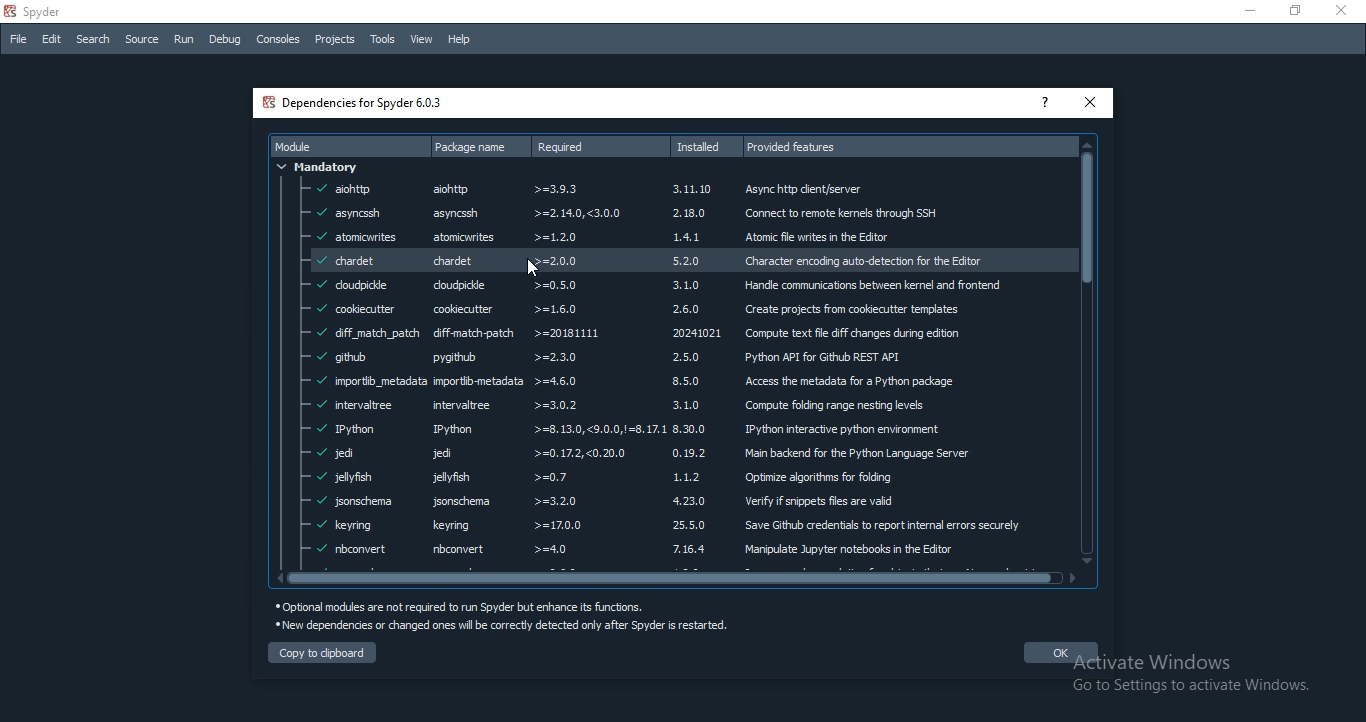 Image resolution: width=1366 pixels, height=722 pixels. What do you see at coordinates (504, 617) in the screenshot?
I see `* Optional modules are not required to run Spyder but enhance its functions.
New dependencies or changed ones wil be correctly detected only after Spyder is restarted.` at bounding box center [504, 617].